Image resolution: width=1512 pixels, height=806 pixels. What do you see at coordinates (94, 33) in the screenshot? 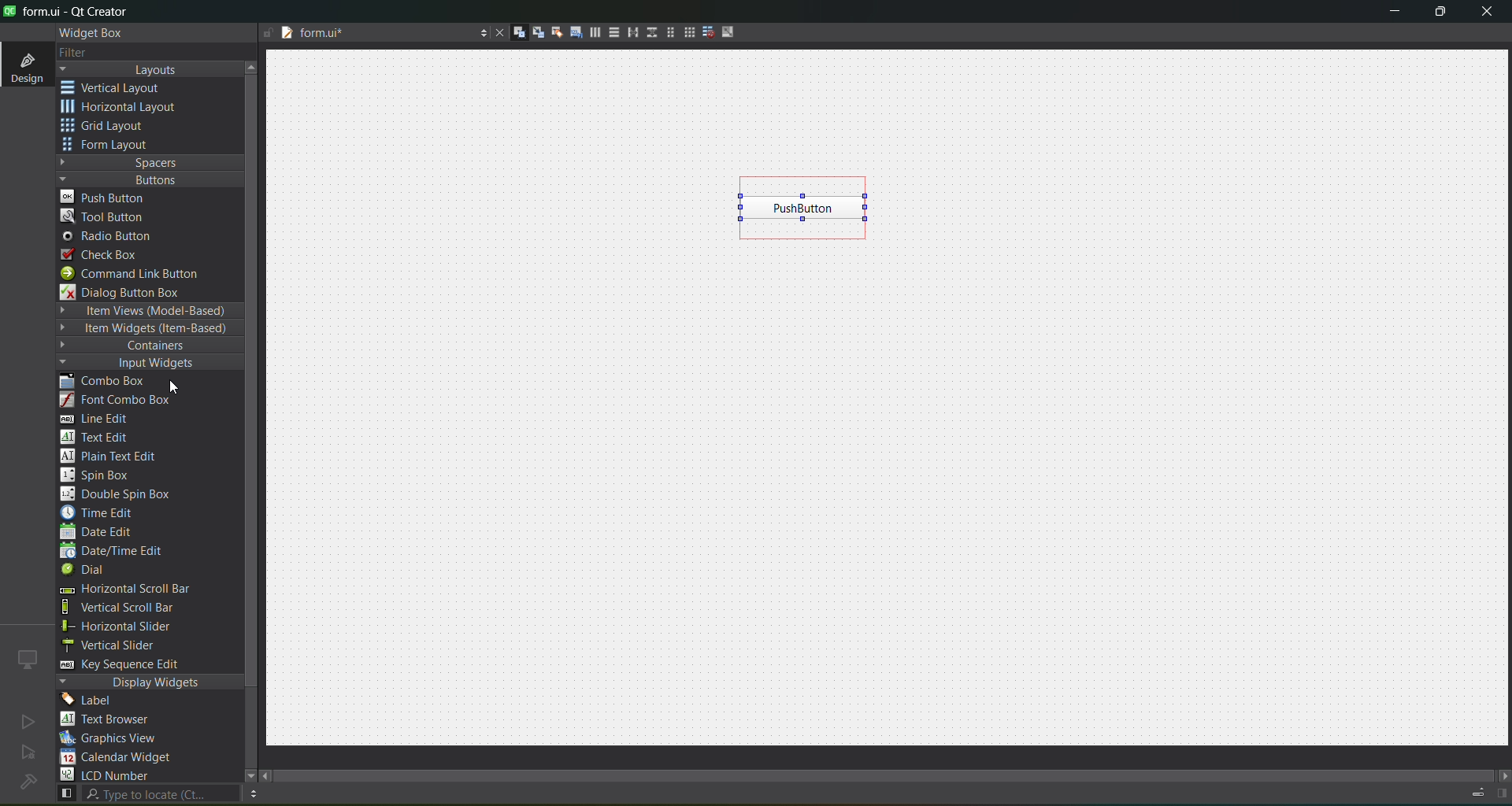
I see `widget box` at bounding box center [94, 33].